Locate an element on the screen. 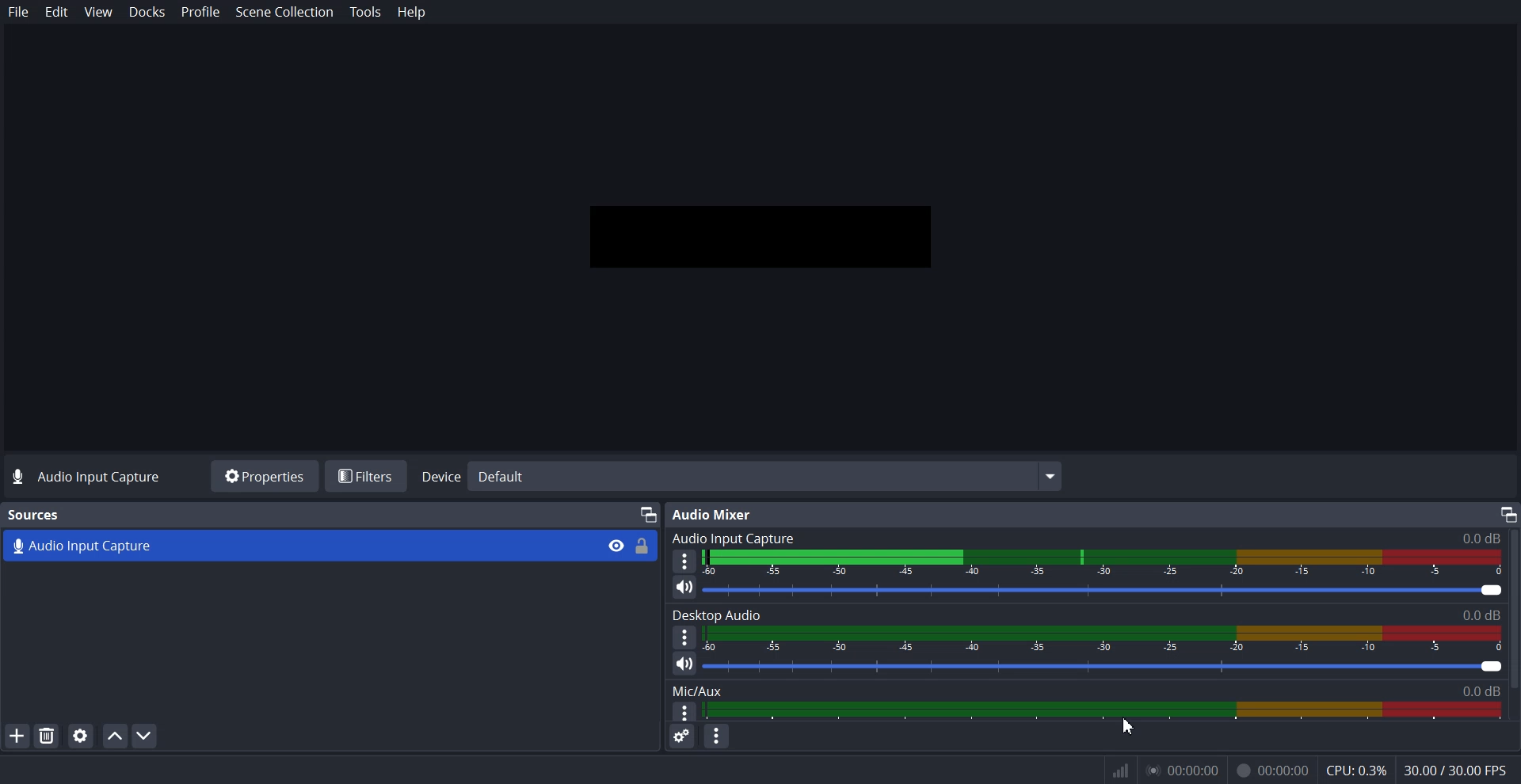 Image resolution: width=1521 pixels, height=784 pixels. Recording is located at coordinates (1272, 771).